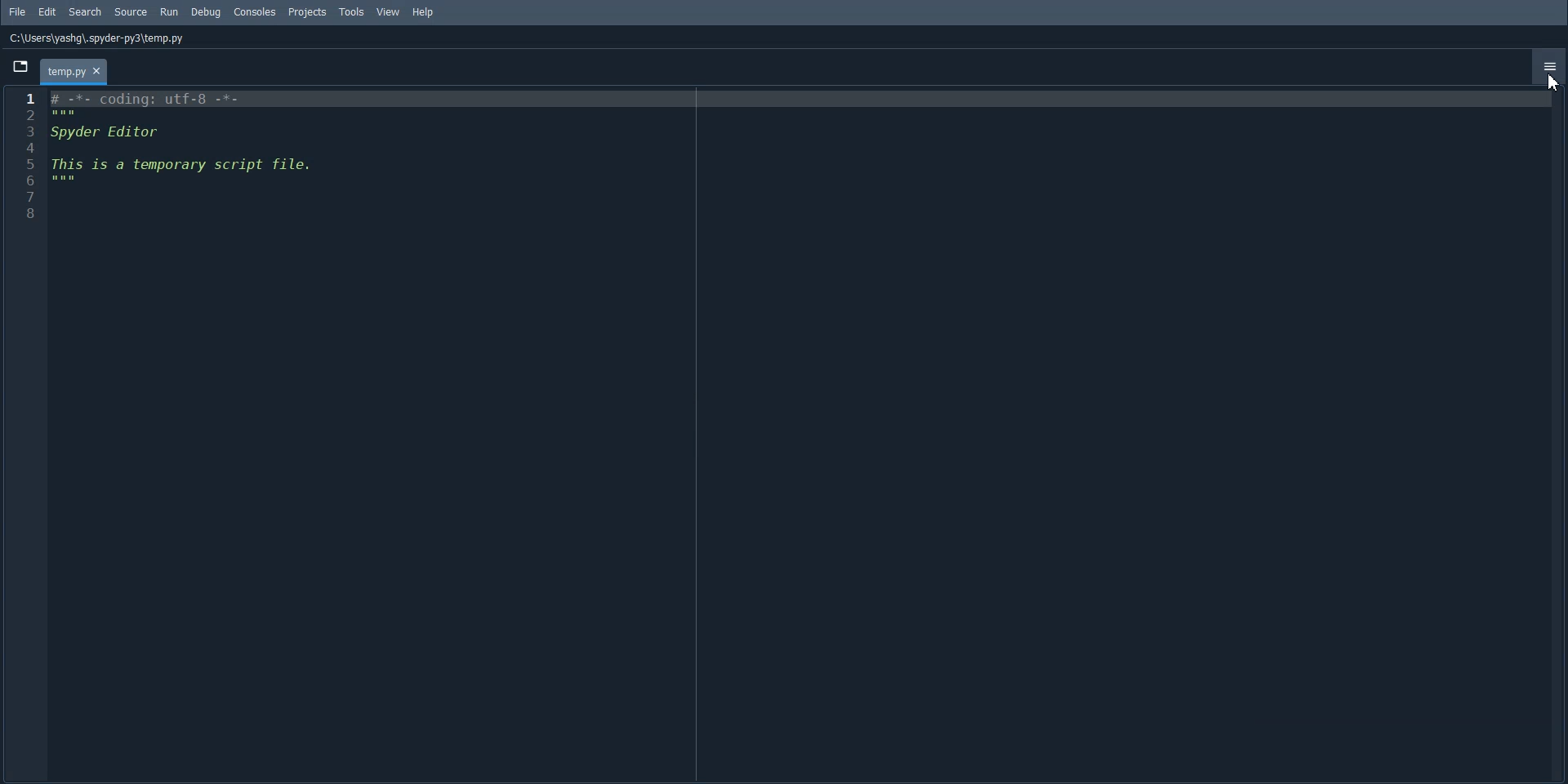 The height and width of the screenshot is (784, 1568). Describe the element at coordinates (25, 157) in the screenshot. I see `Line Number` at that location.